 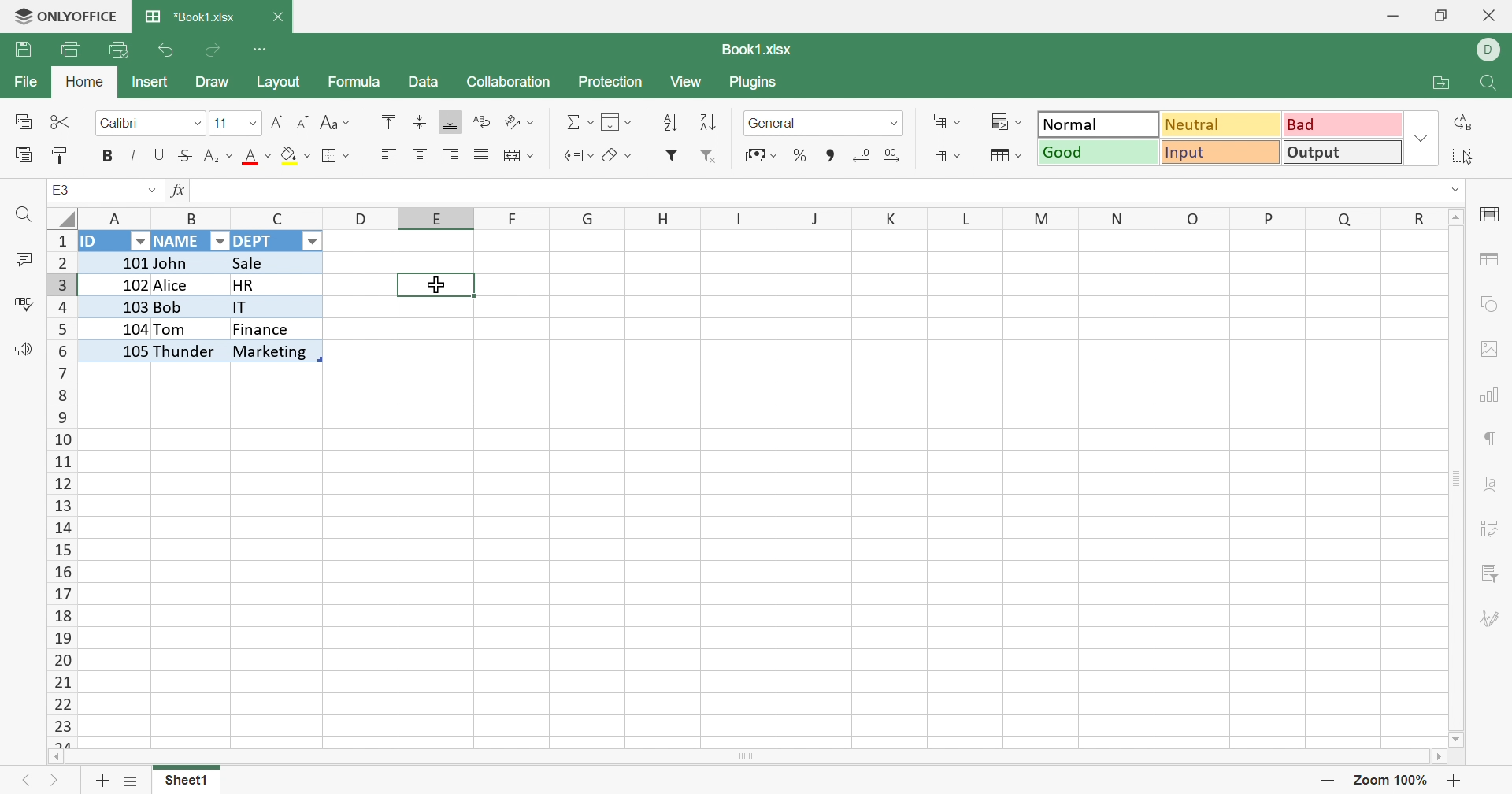 What do you see at coordinates (1487, 84) in the screenshot?
I see `Find` at bounding box center [1487, 84].